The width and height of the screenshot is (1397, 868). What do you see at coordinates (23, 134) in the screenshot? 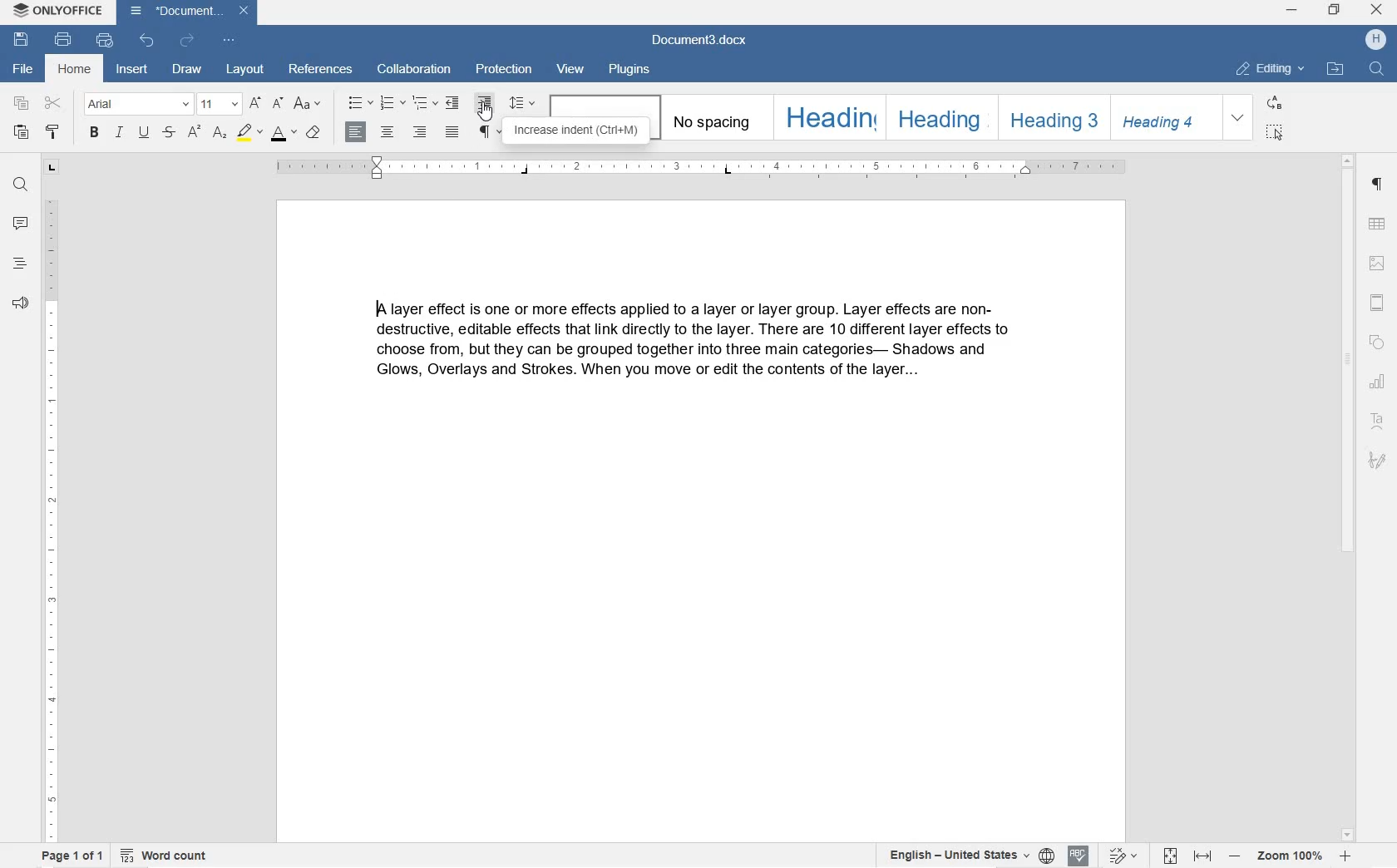
I see `PASTE` at bounding box center [23, 134].